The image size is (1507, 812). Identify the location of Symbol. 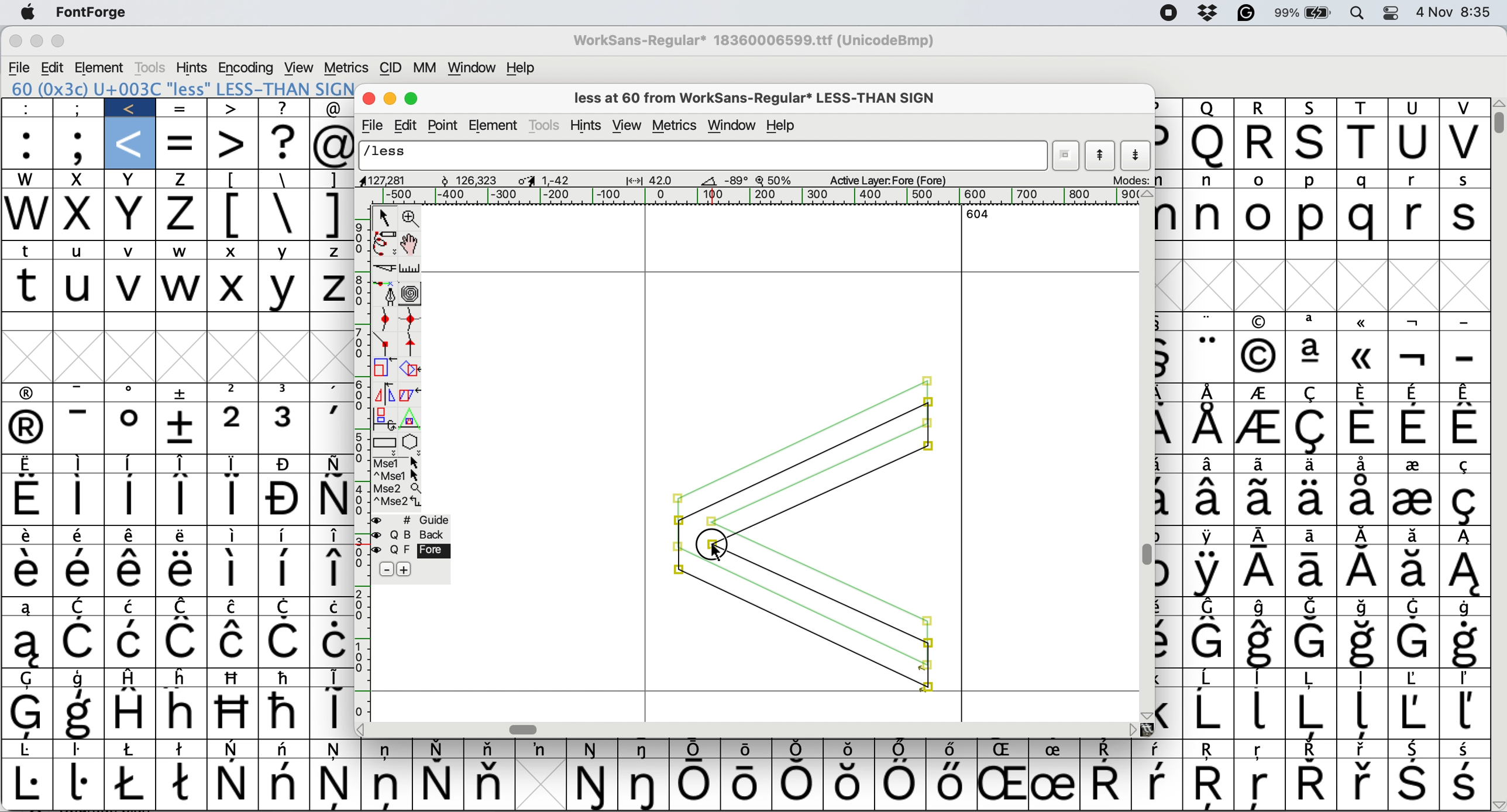
(1208, 751).